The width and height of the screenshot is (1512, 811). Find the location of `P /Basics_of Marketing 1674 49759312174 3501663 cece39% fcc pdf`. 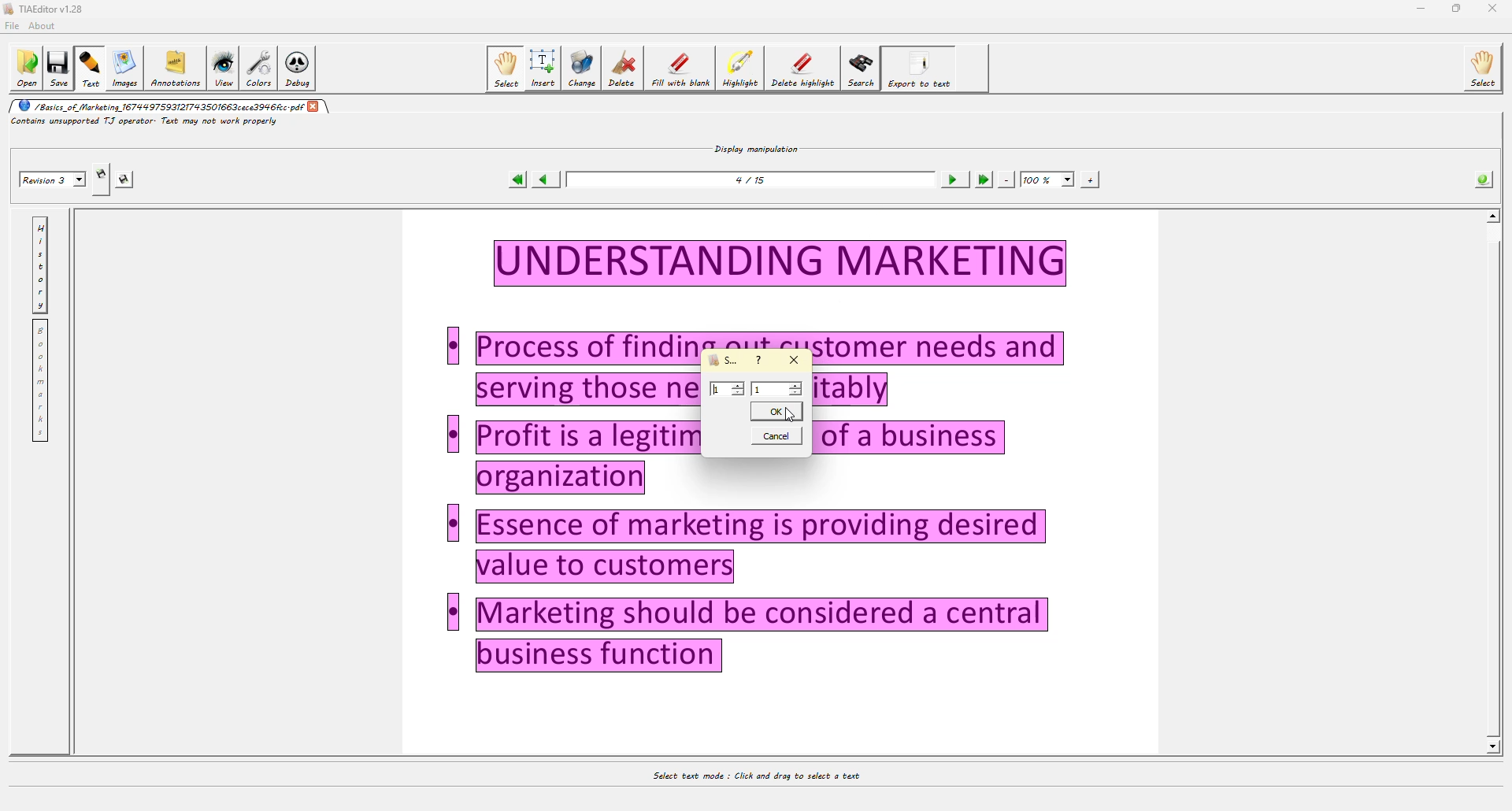

P /Basics_of Marketing 1674 49759312174 3501663 cece39% fcc pdf is located at coordinates (157, 106).